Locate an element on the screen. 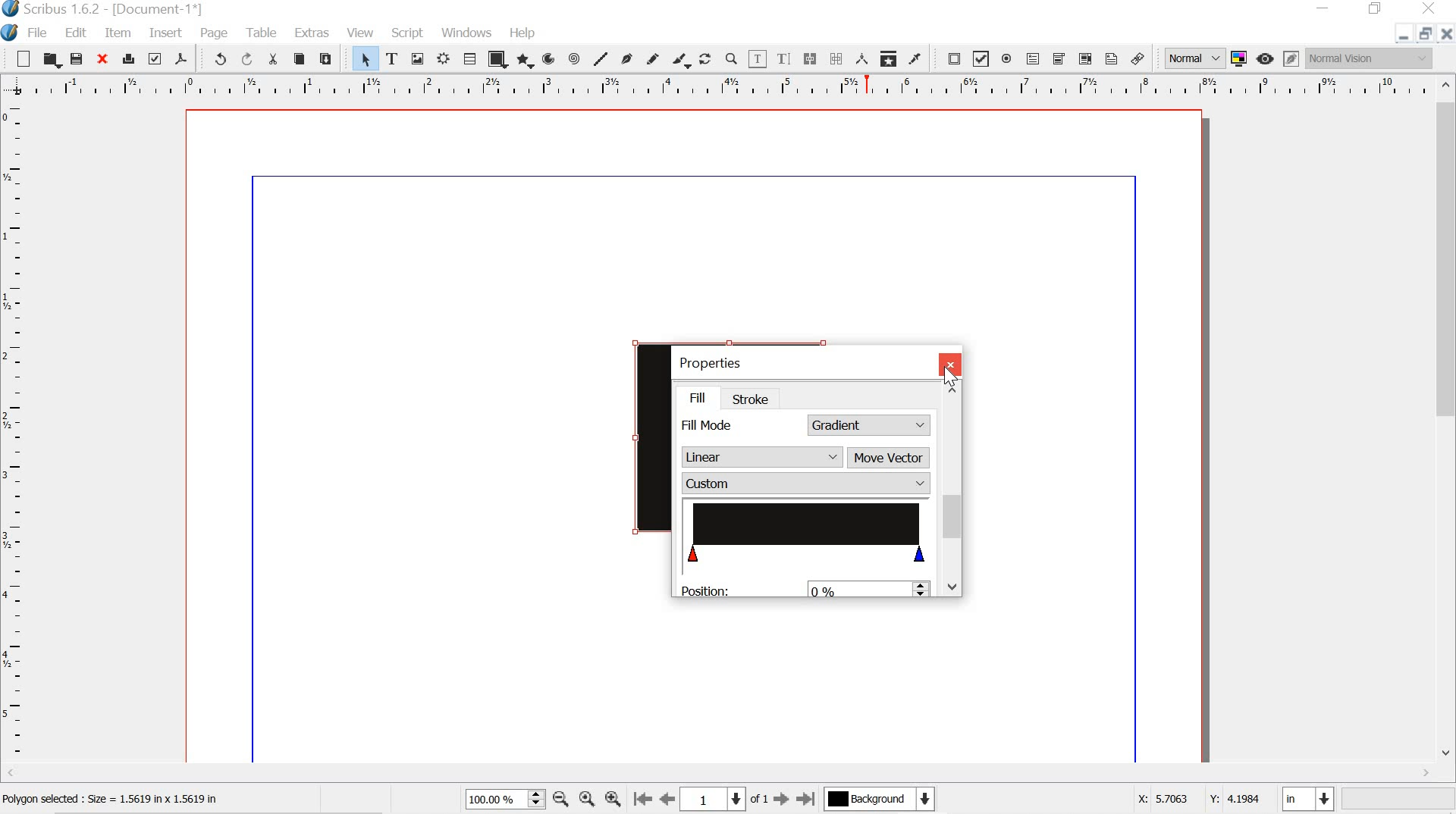  position  0% is located at coordinates (777, 589).